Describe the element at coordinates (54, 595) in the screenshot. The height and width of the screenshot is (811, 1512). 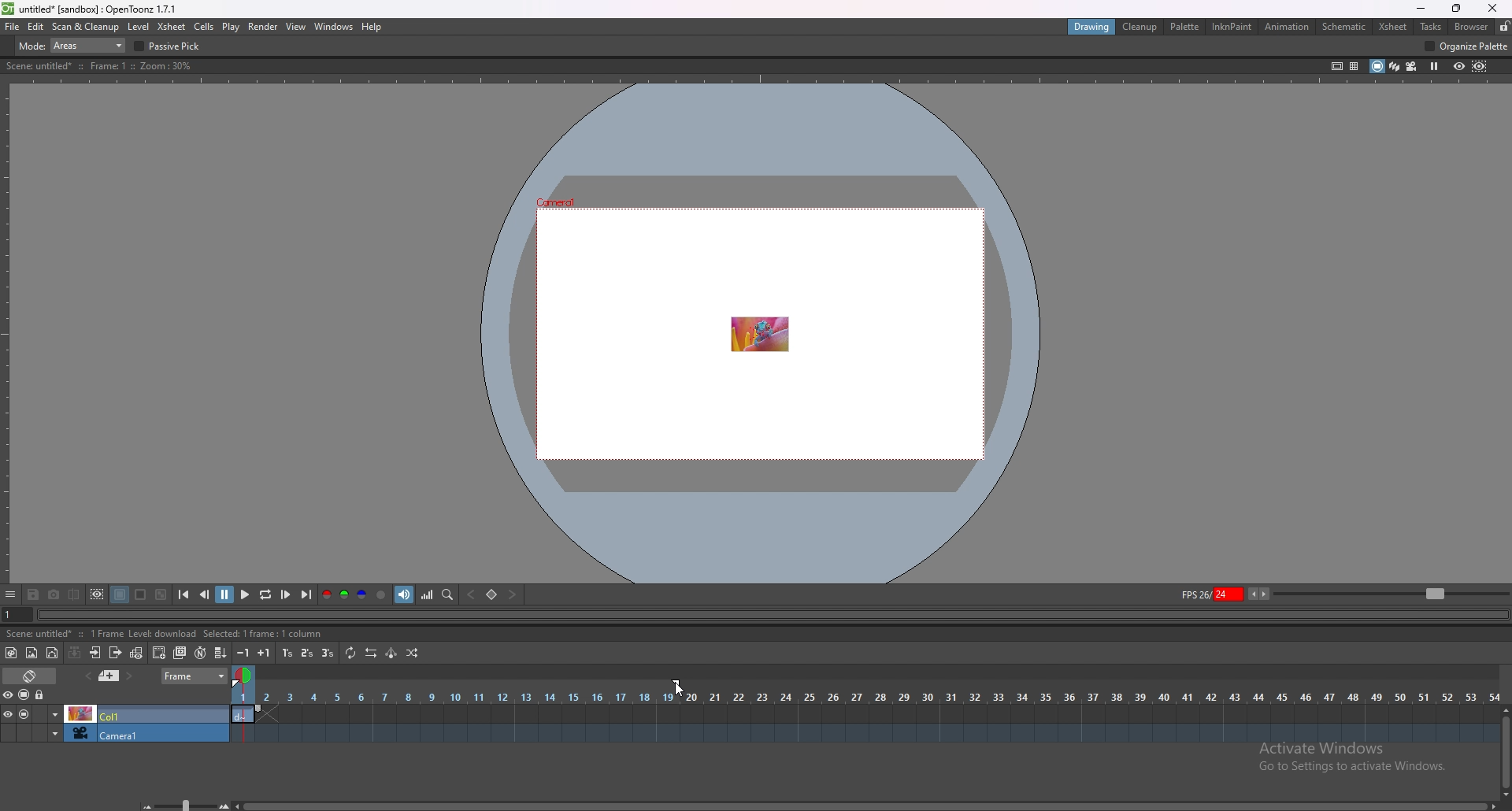
I see `snapshot` at that location.